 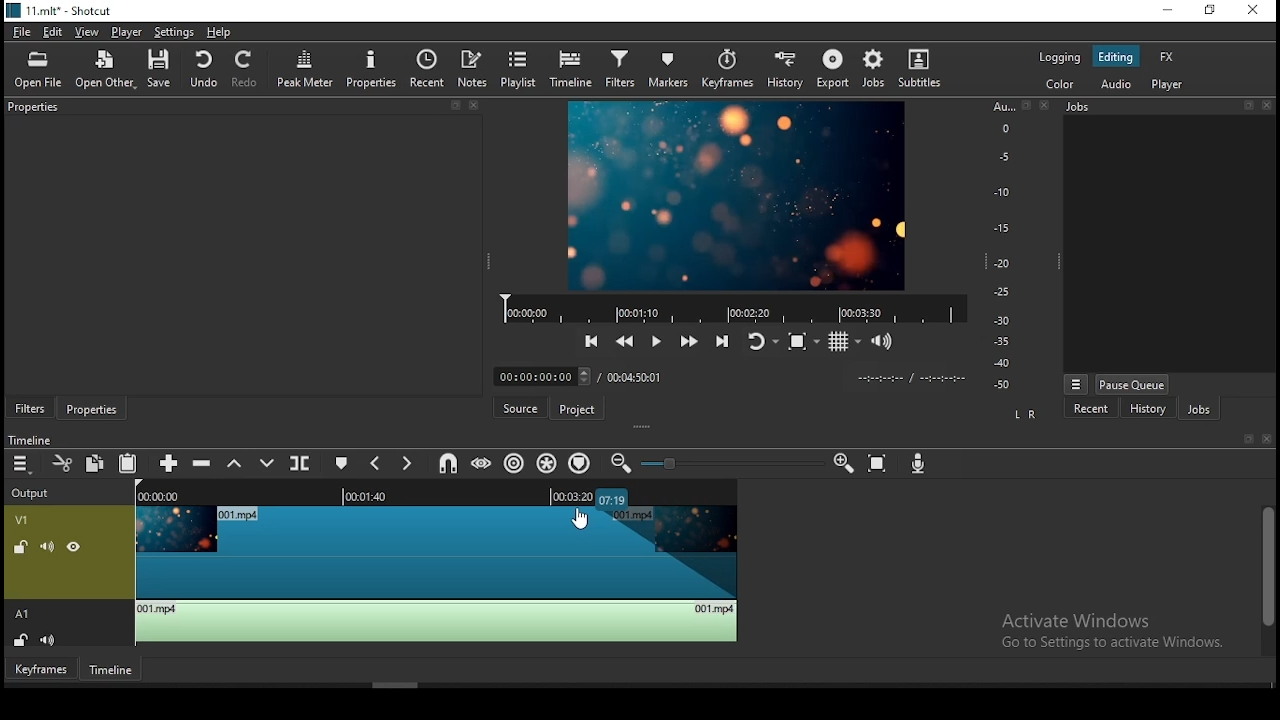 I want to click on help, so click(x=223, y=32).